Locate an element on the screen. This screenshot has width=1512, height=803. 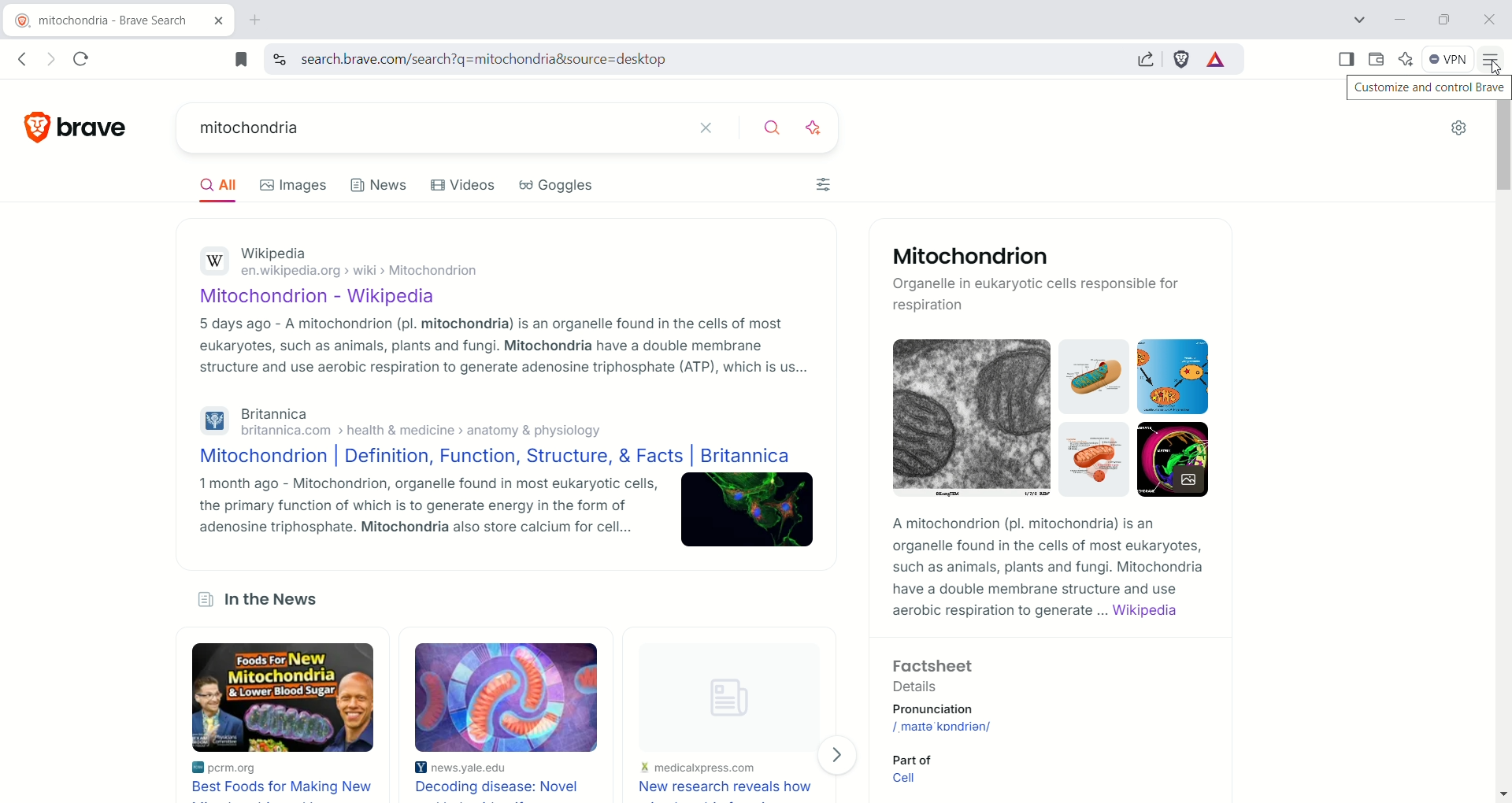
new research reveals how is located at coordinates (734, 728).